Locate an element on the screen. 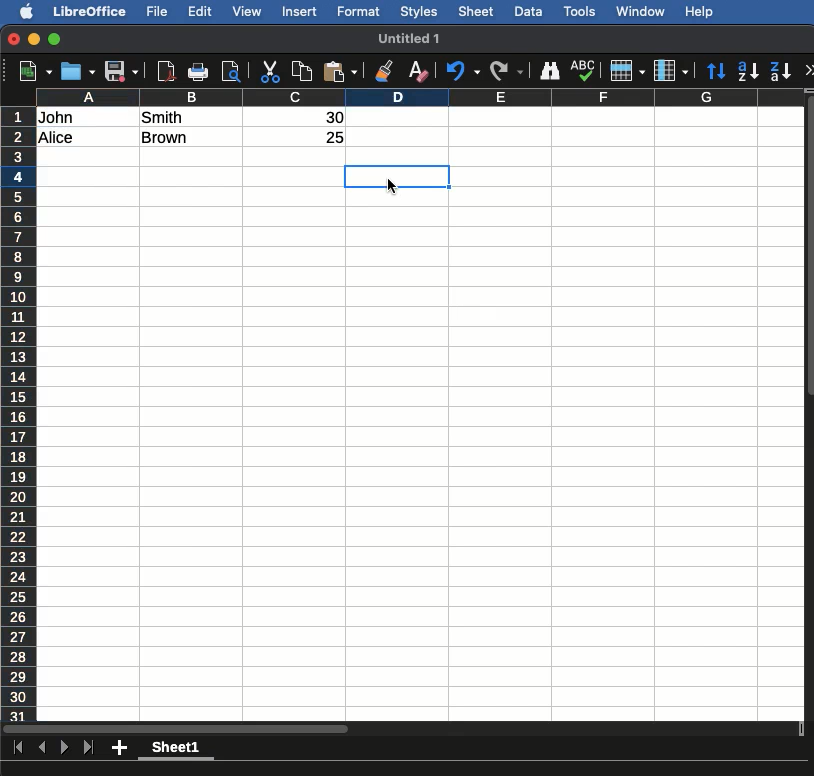  Copy is located at coordinates (305, 69).